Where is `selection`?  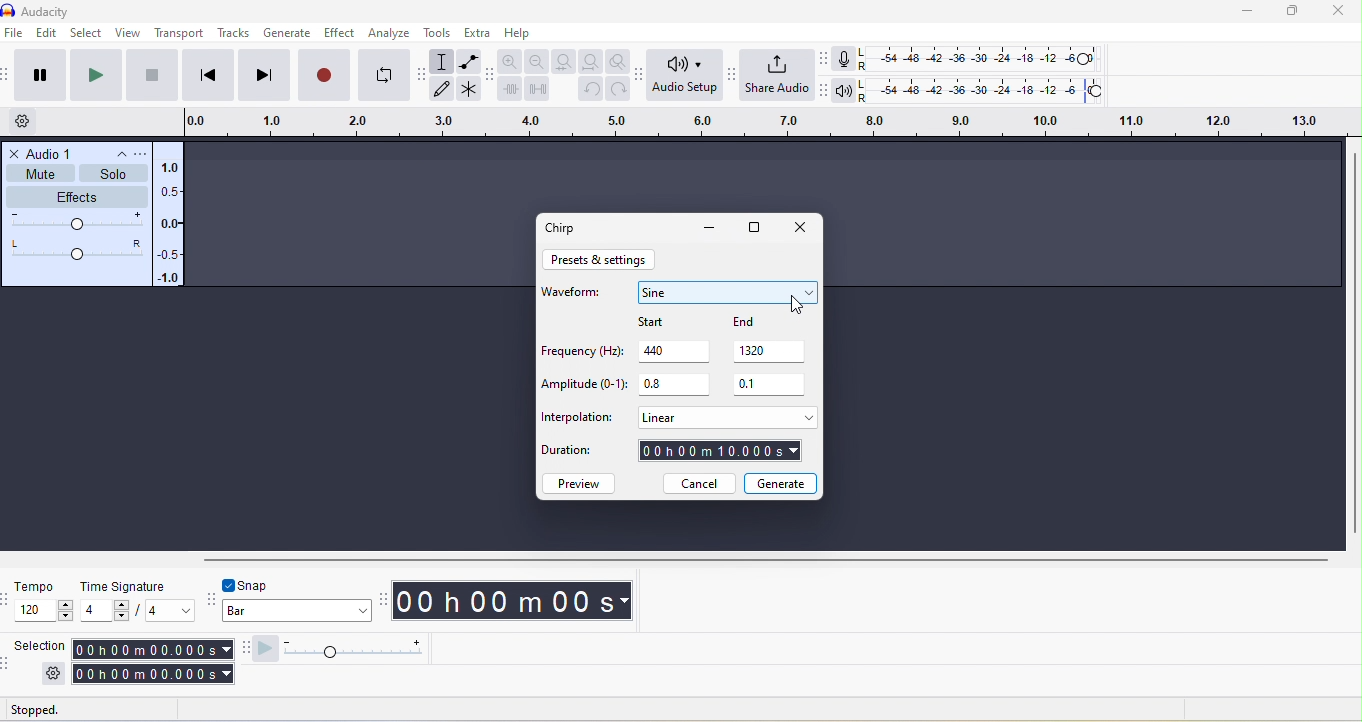 selection is located at coordinates (39, 645).